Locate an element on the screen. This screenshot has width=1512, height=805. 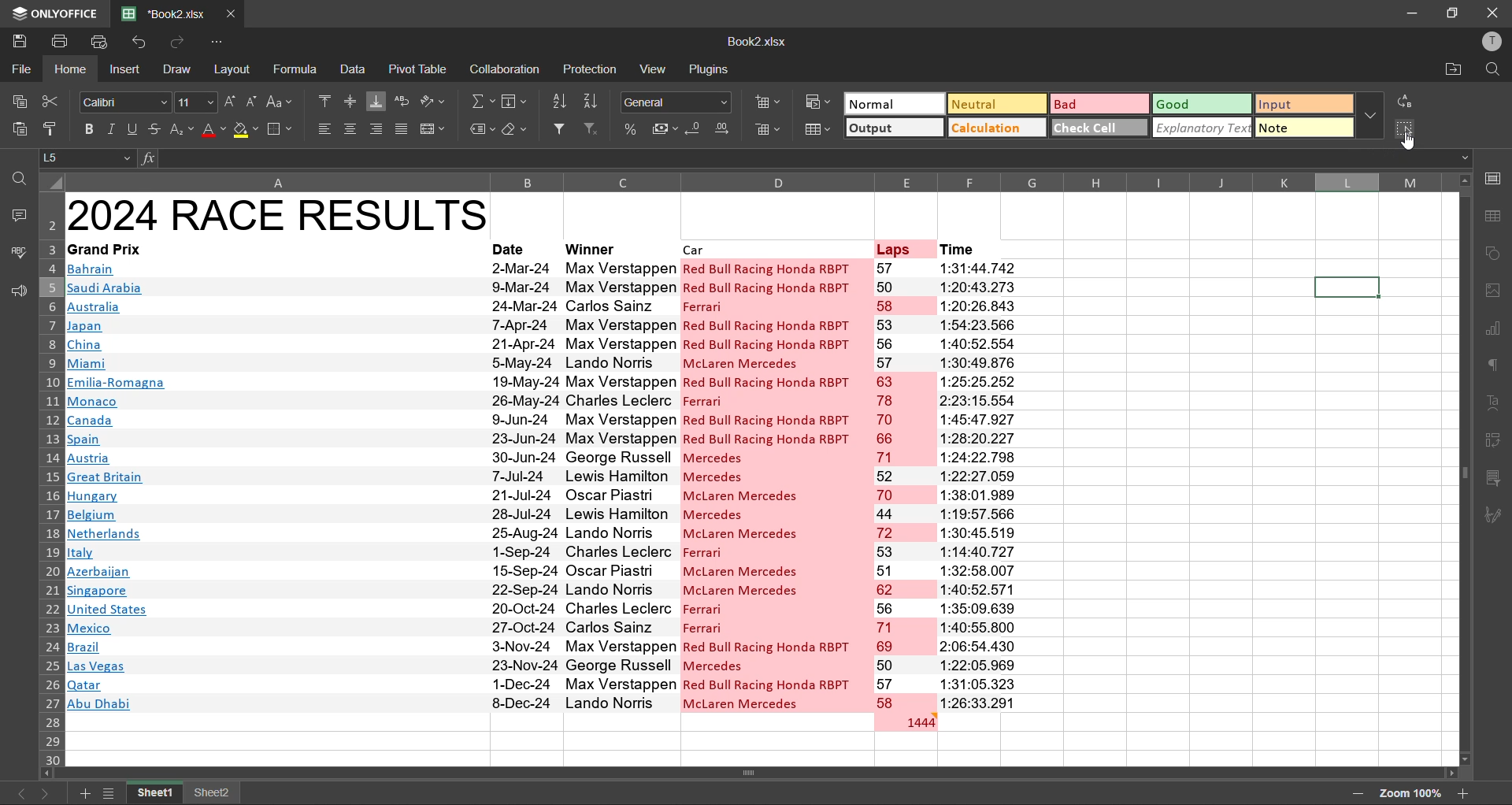
format as table is located at coordinates (819, 131).